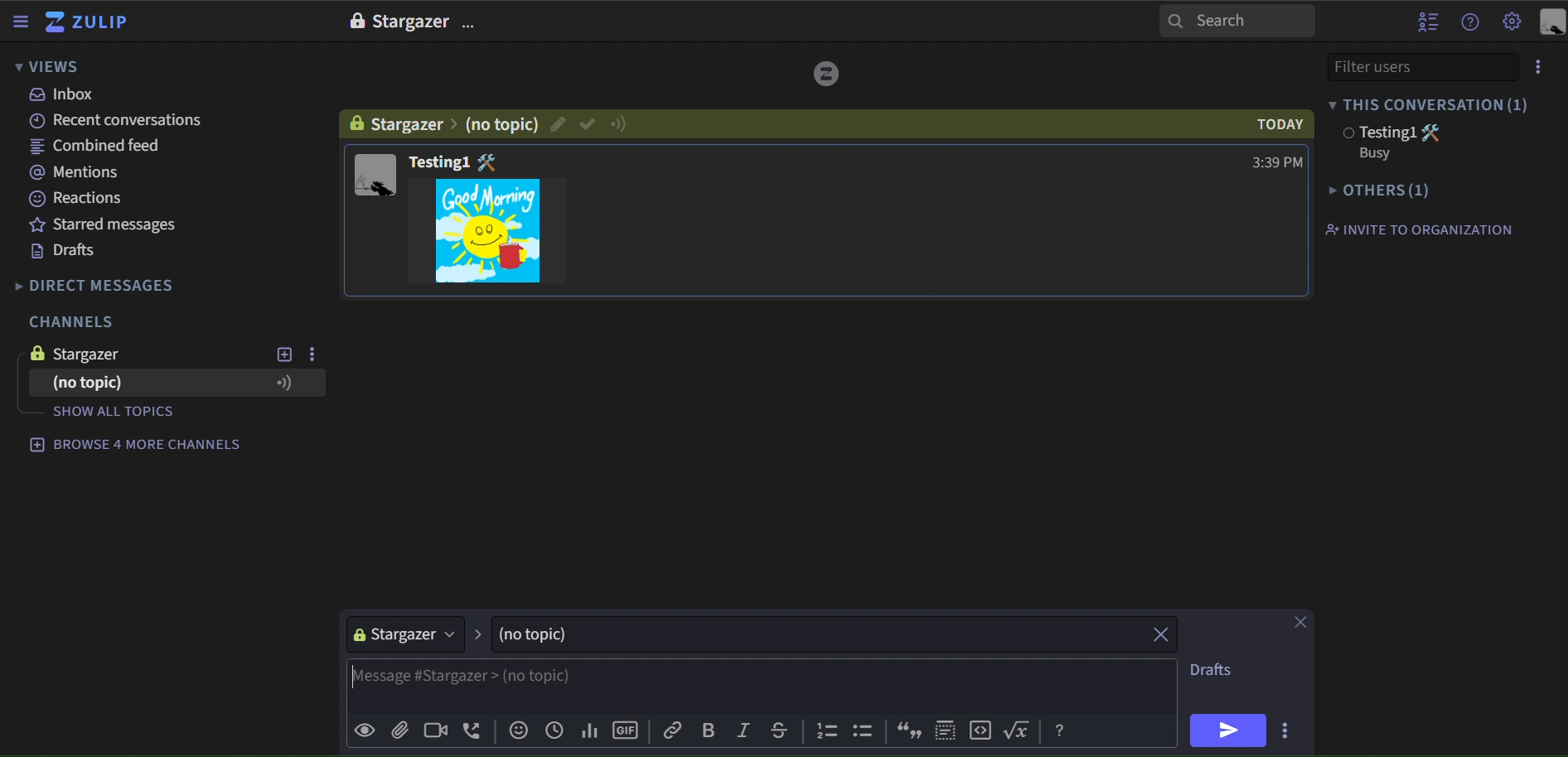  I want to click on add voice call, so click(473, 731).